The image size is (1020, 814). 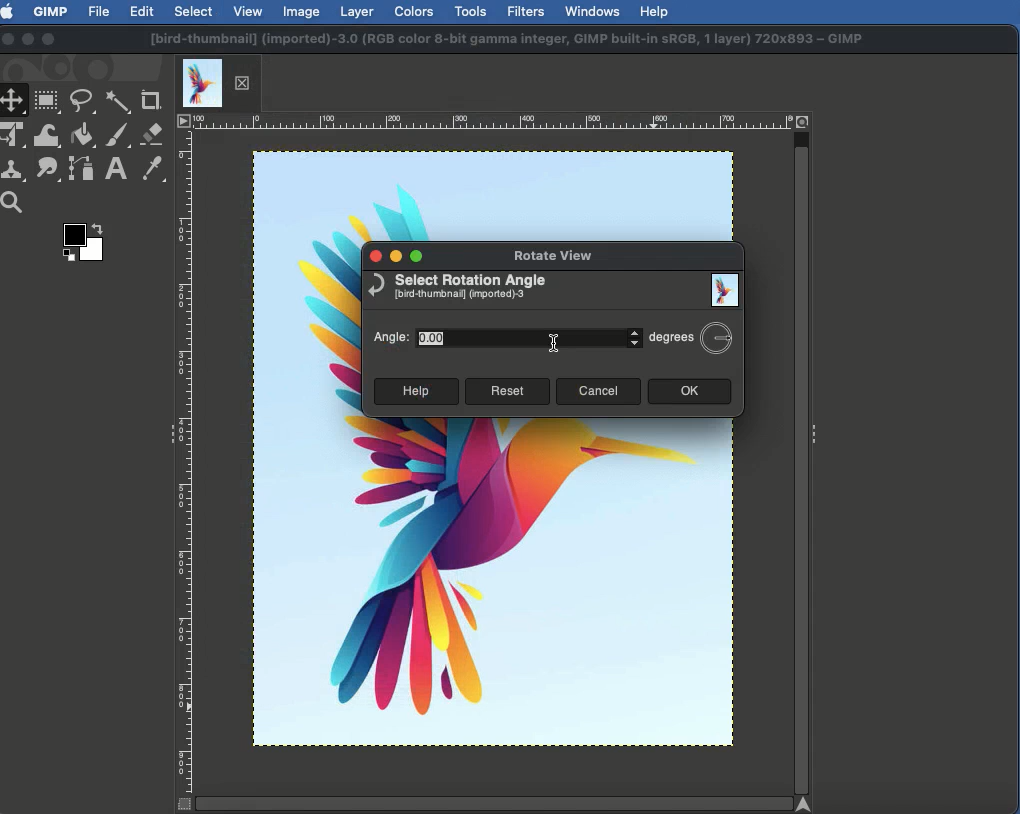 I want to click on Close, so click(x=373, y=258).